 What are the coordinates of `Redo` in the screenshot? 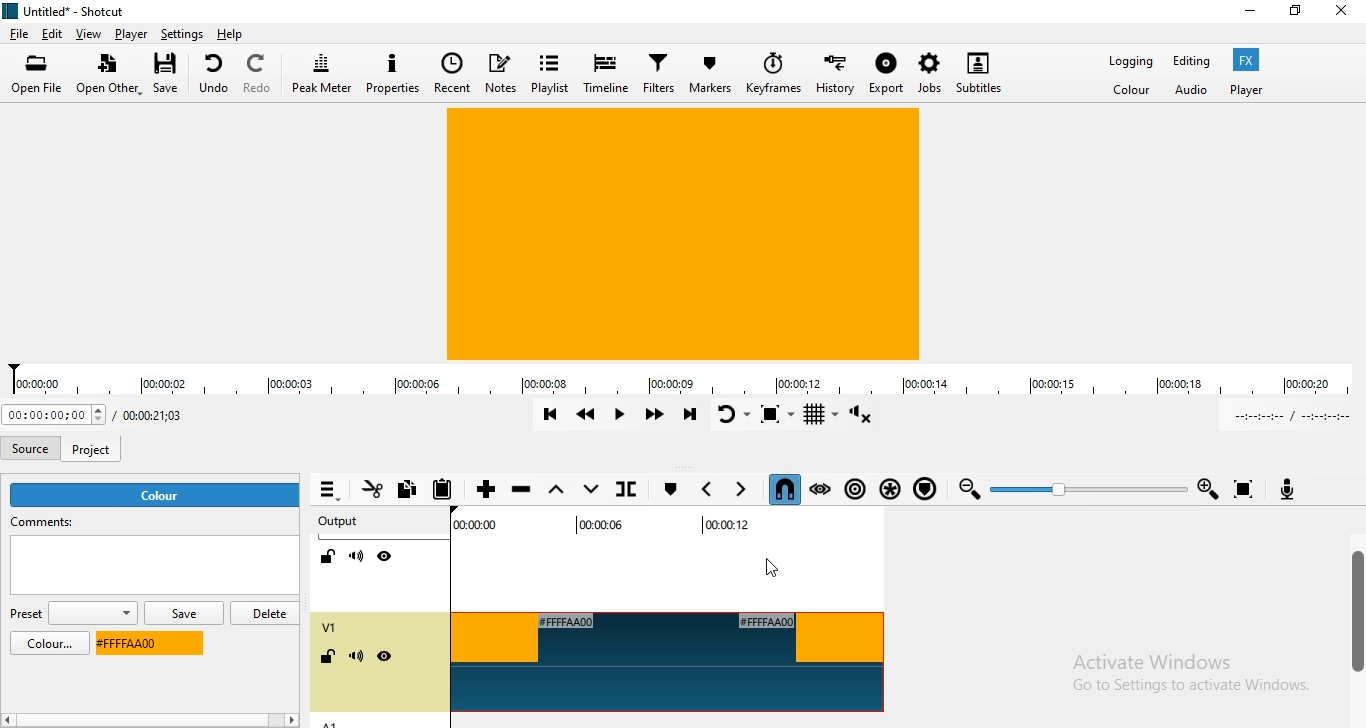 It's located at (260, 71).